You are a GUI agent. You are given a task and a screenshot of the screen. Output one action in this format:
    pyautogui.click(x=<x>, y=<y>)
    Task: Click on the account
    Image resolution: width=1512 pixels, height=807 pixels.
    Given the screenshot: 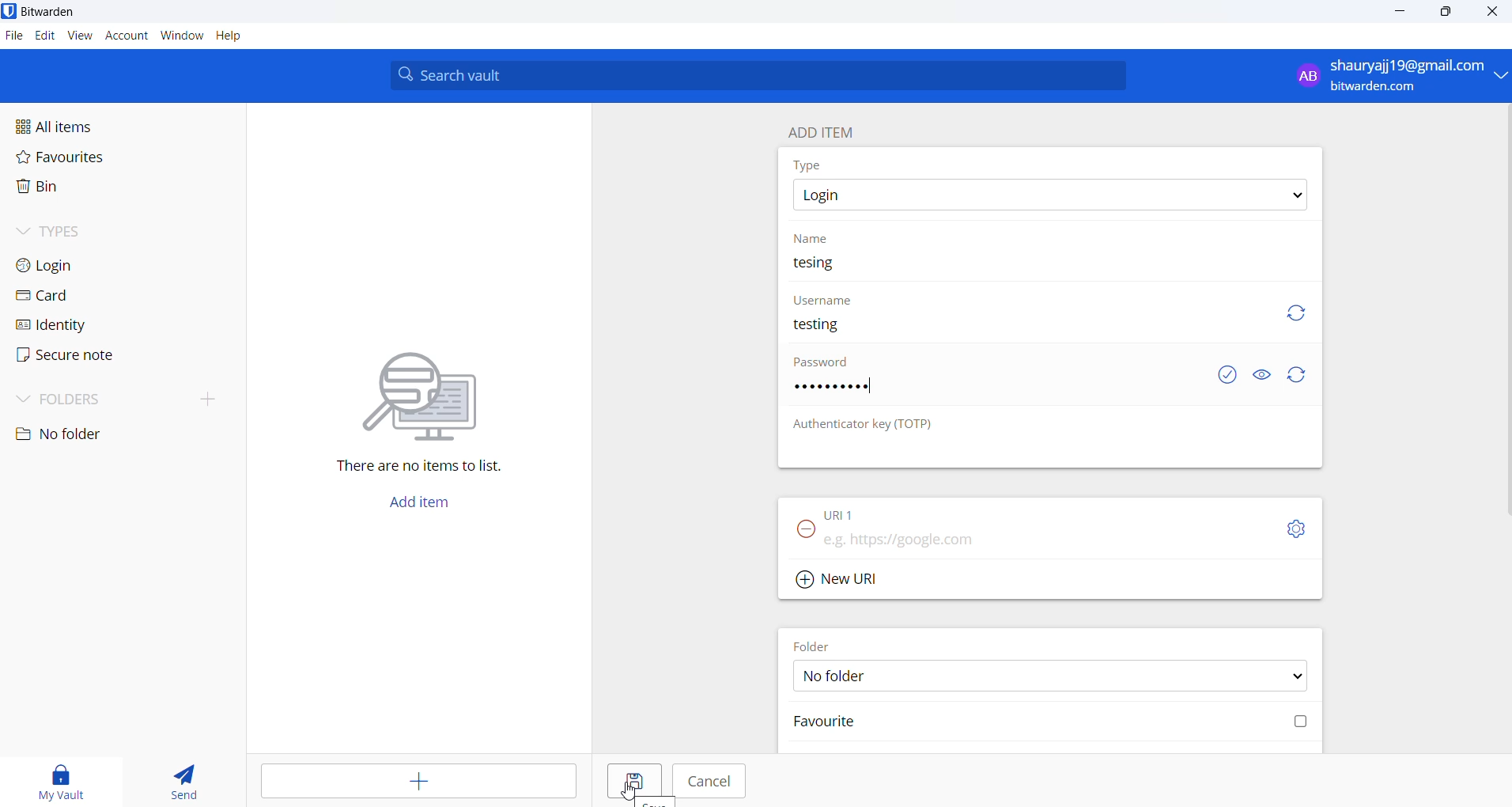 What is the action you would take?
    pyautogui.click(x=127, y=37)
    